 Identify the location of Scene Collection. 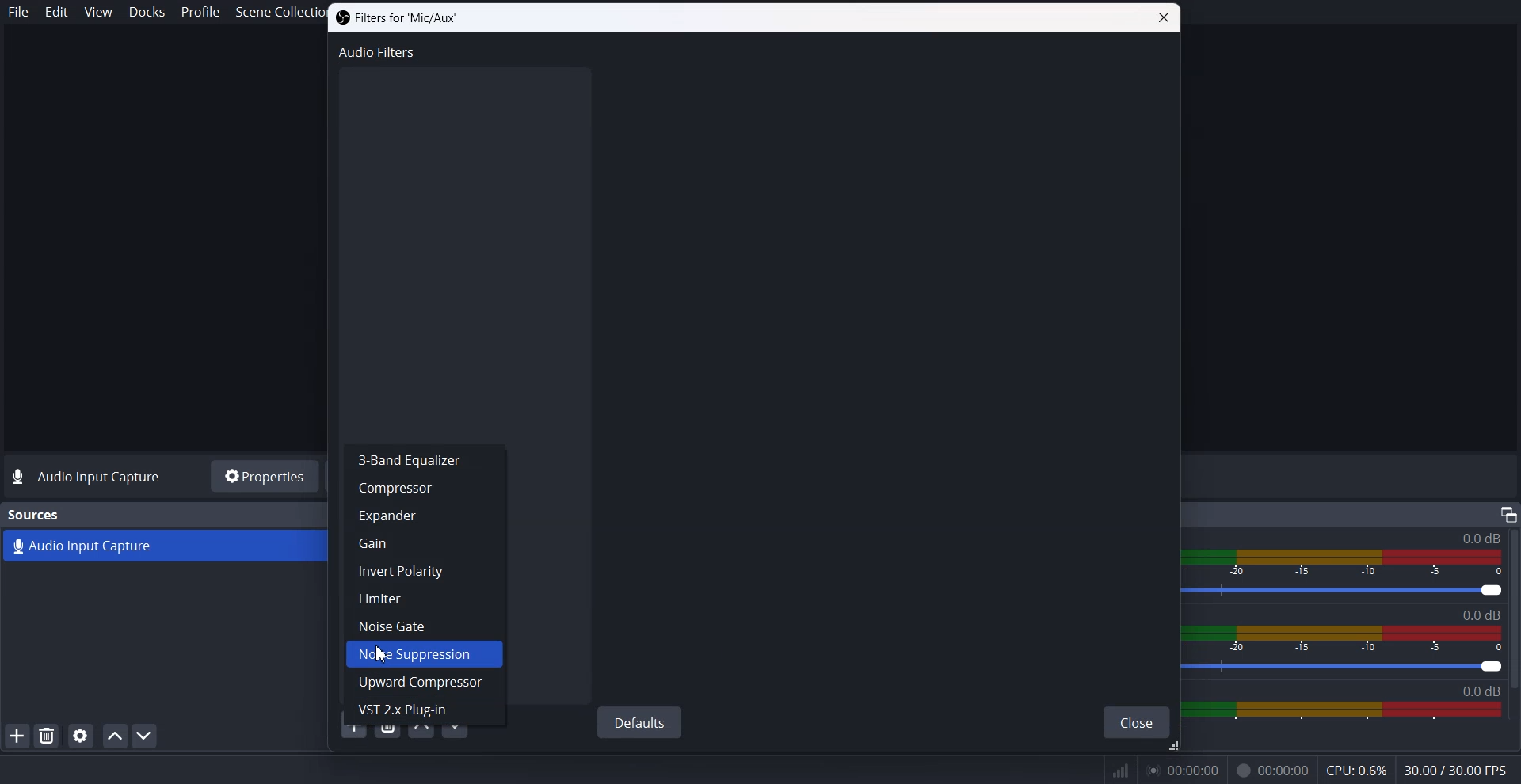
(273, 13).